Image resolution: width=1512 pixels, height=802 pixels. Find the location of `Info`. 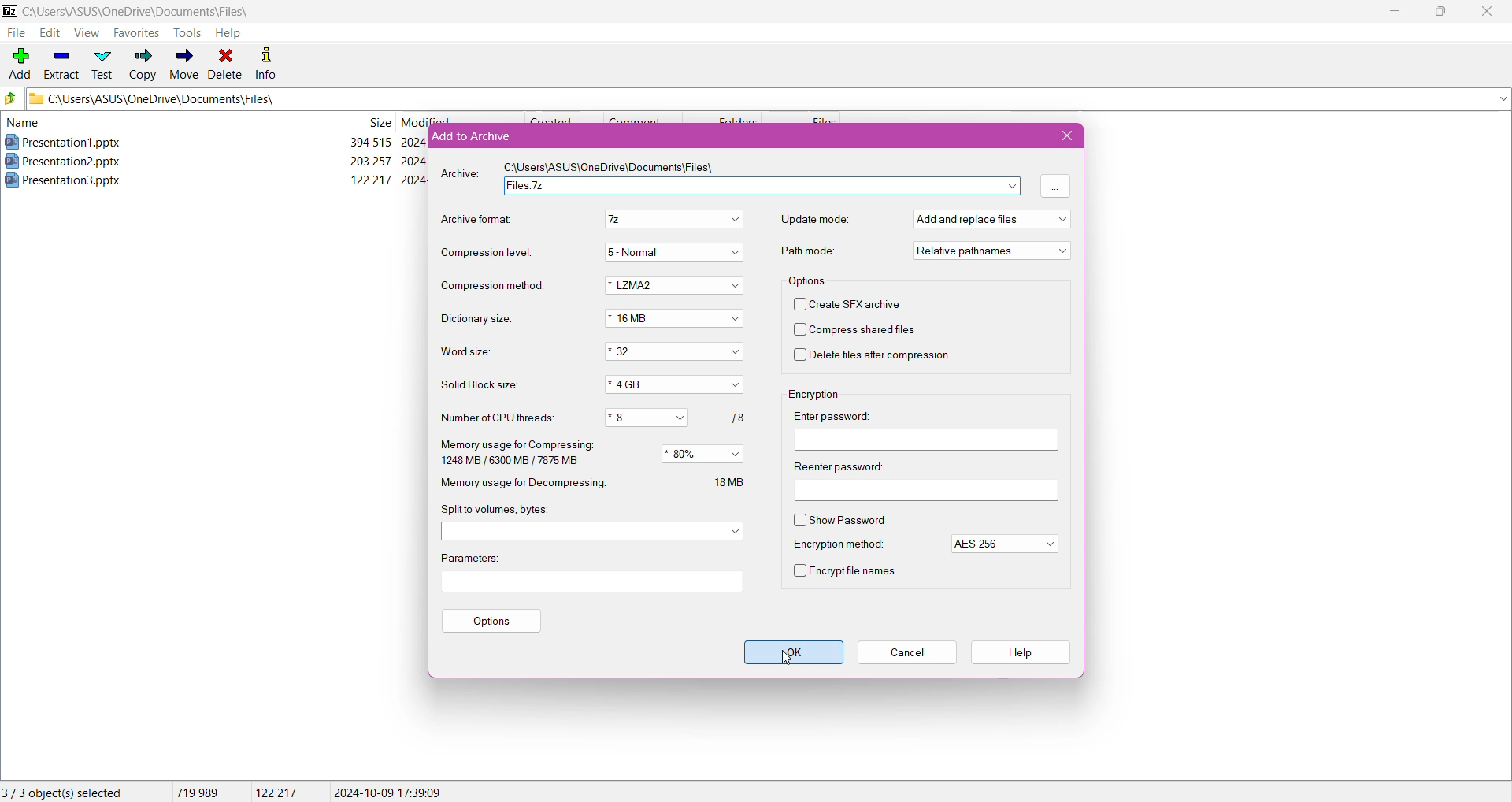

Info is located at coordinates (267, 62).